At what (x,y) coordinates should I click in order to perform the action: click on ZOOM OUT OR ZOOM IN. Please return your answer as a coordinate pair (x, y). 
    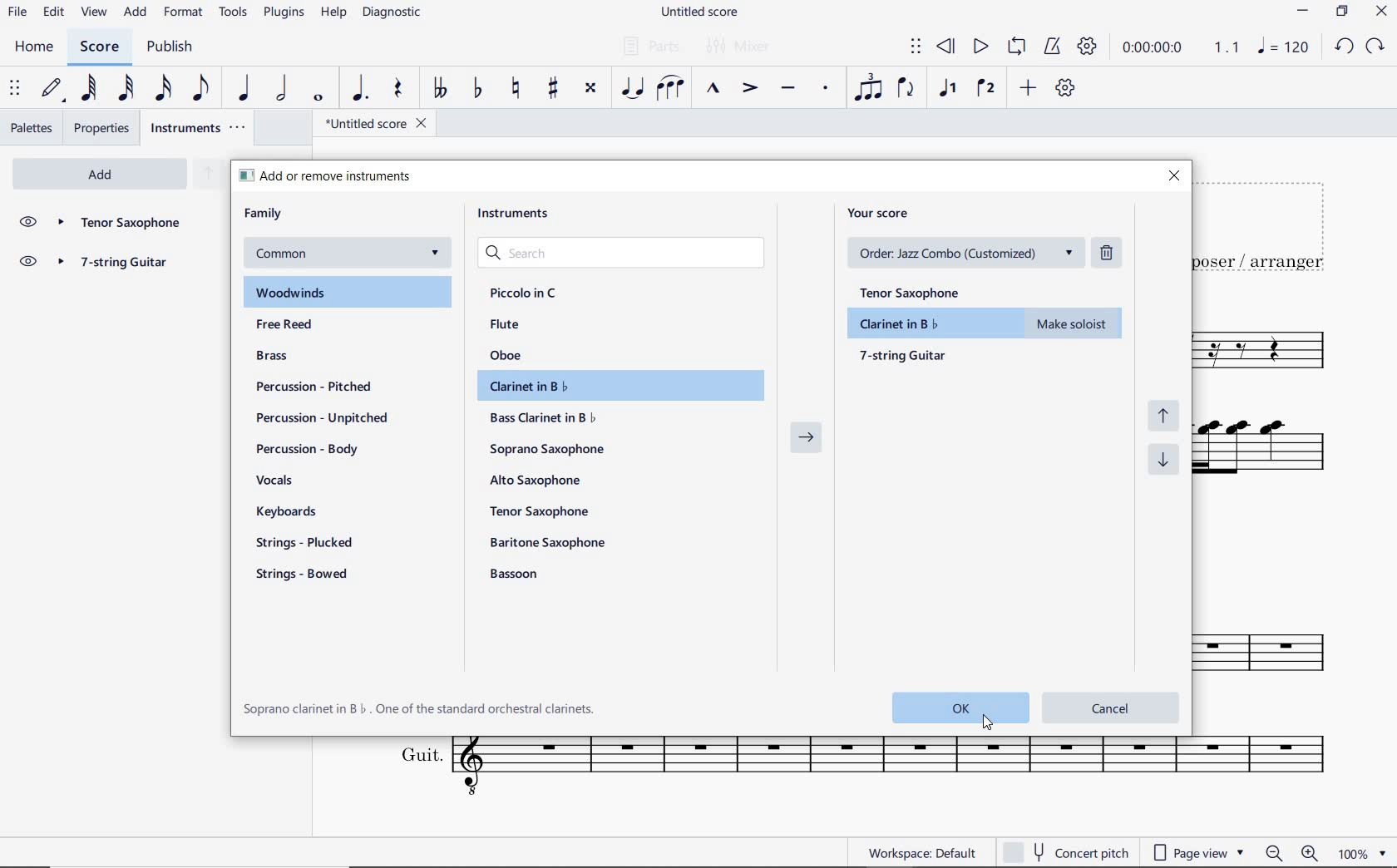
    Looking at the image, I should click on (1293, 853).